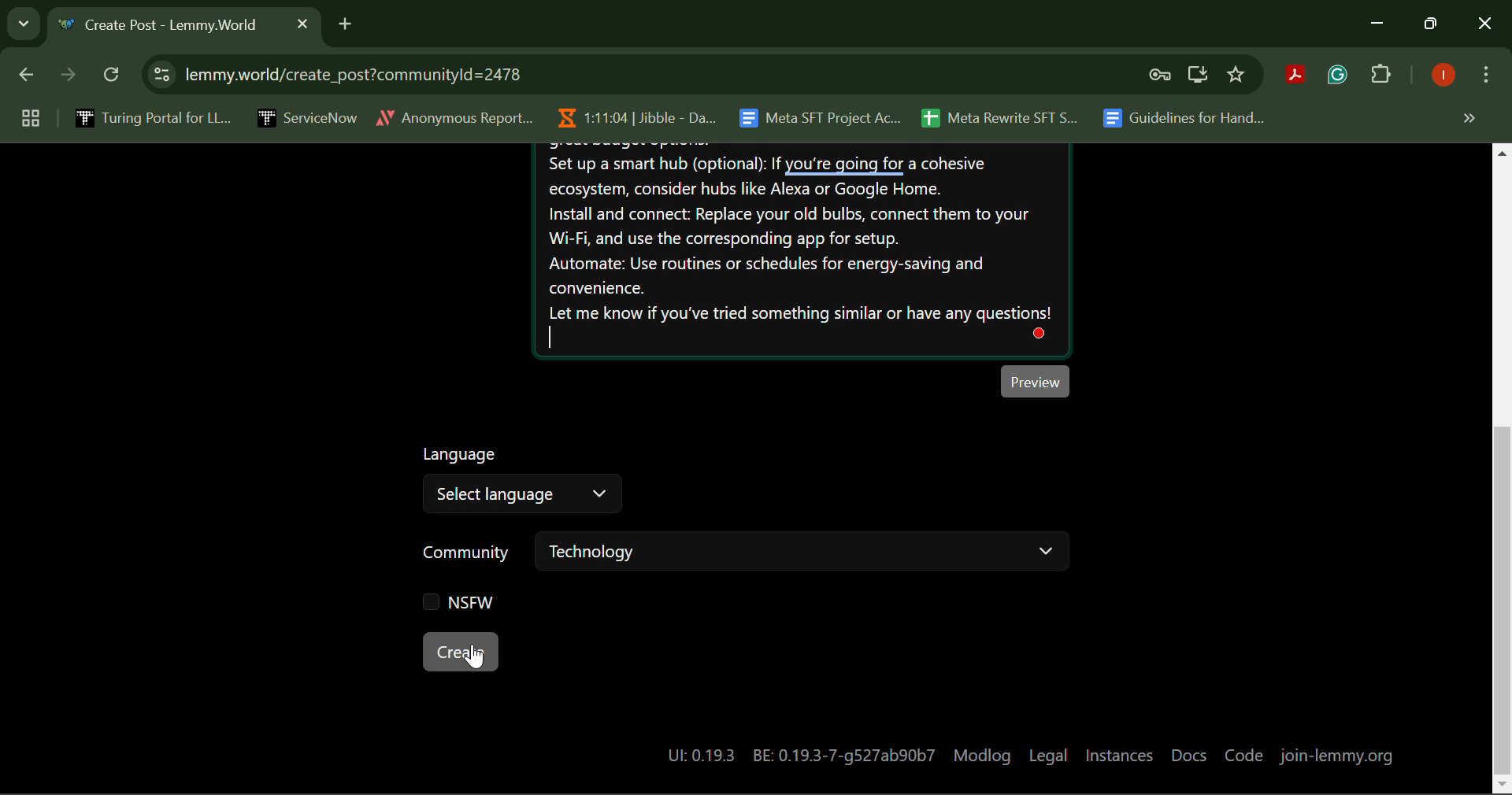 The width and height of the screenshot is (1512, 795). Describe the element at coordinates (1433, 24) in the screenshot. I see `Minimize` at that location.